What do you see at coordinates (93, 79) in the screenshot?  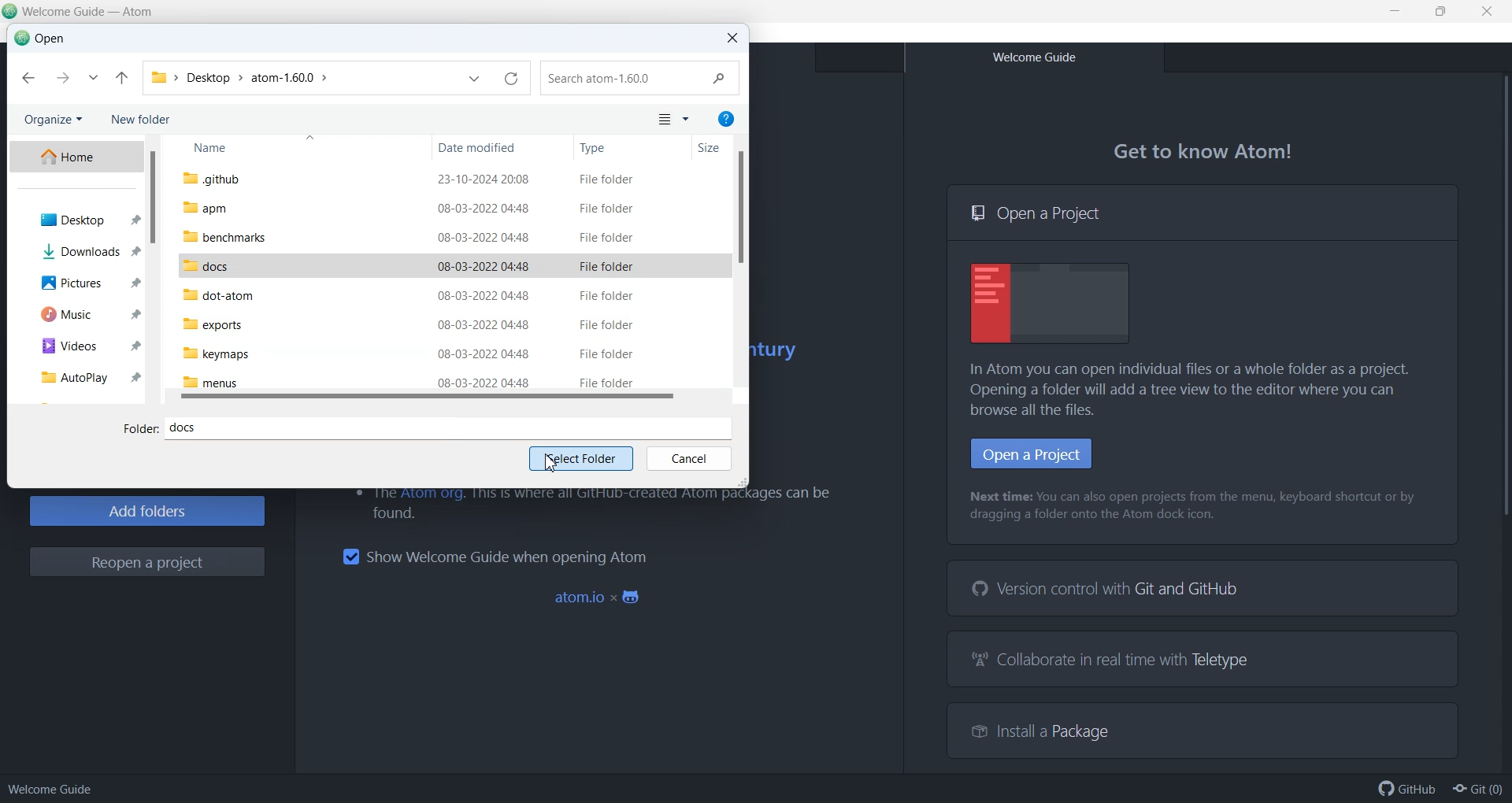 I see `Recent Location` at bounding box center [93, 79].